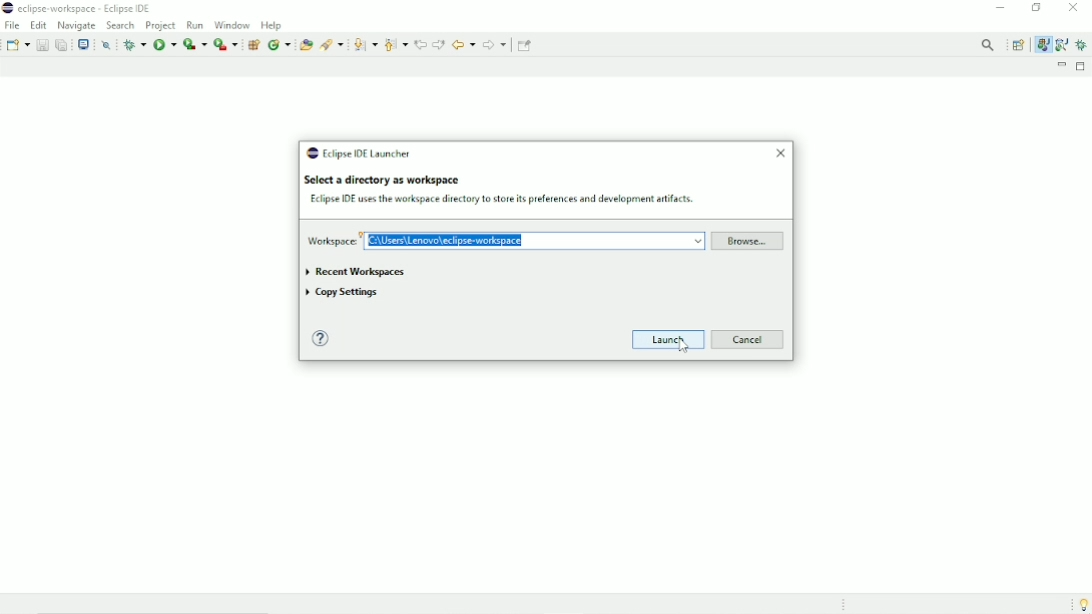  Describe the element at coordinates (749, 242) in the screenshot. I see `Browse` at that location.